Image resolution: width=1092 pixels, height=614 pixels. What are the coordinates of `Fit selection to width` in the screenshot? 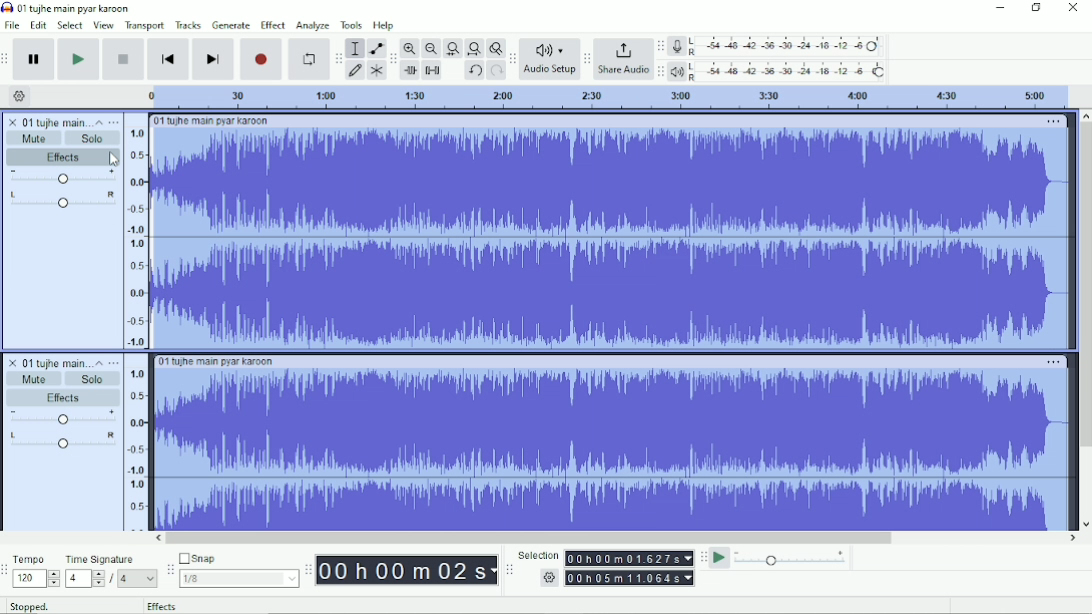 It's located at (452, 48).